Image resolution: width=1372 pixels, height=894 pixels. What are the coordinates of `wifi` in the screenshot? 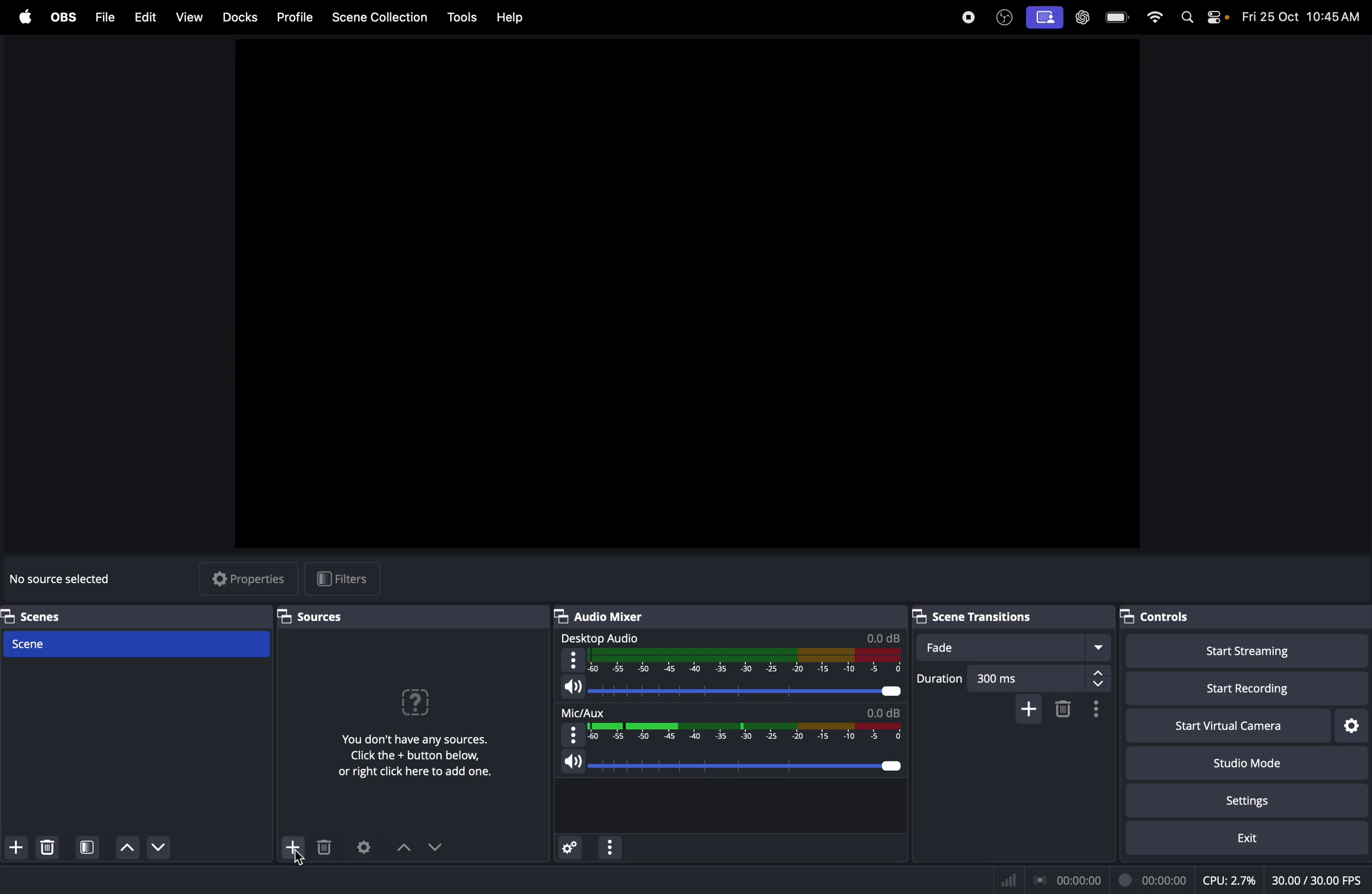 It's located at (1156, 17).